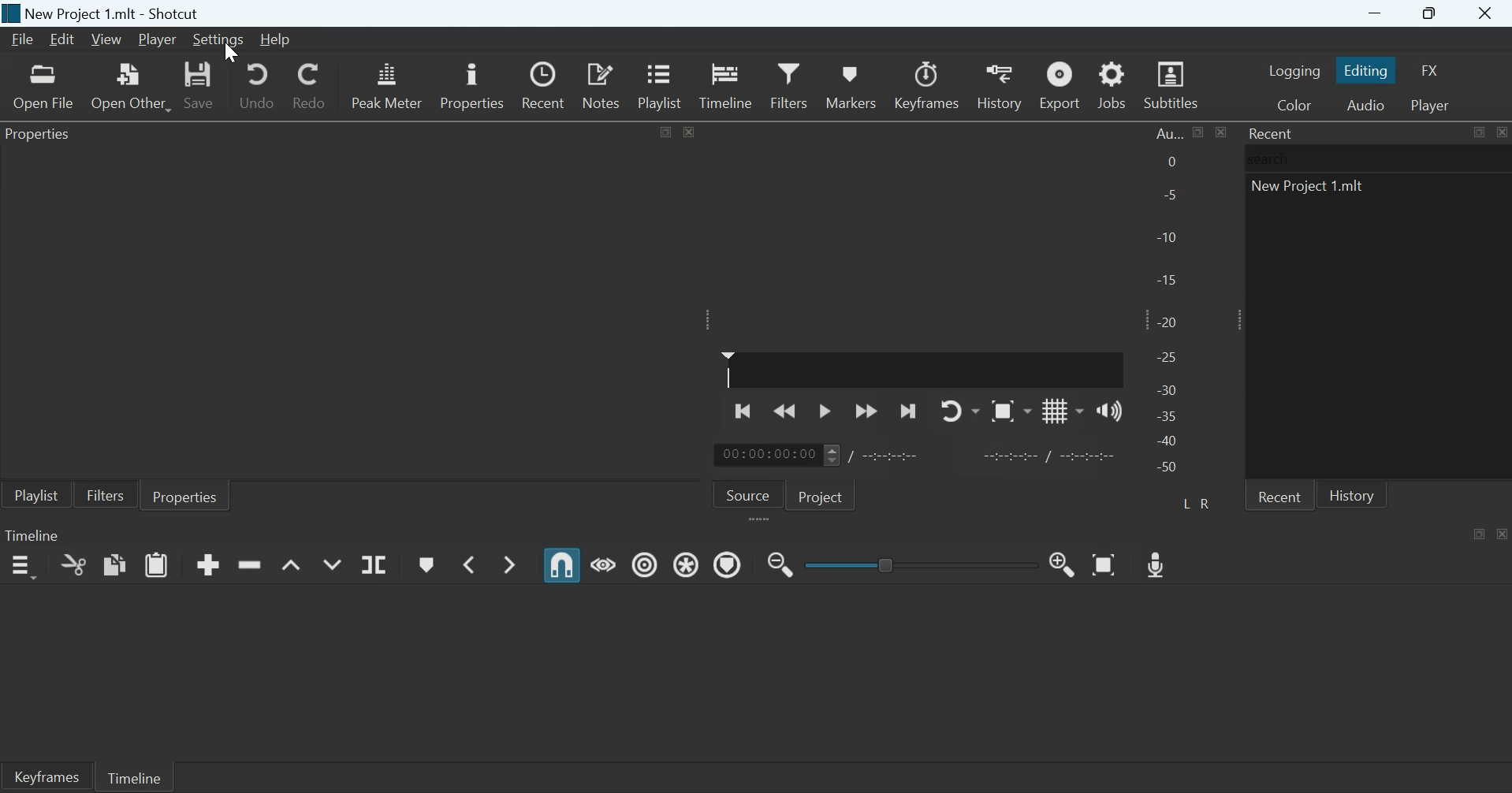  What do you see at coordinates (1272, 133) in the screenshot?
I see `Recent` at bounding box center [1272, 133].